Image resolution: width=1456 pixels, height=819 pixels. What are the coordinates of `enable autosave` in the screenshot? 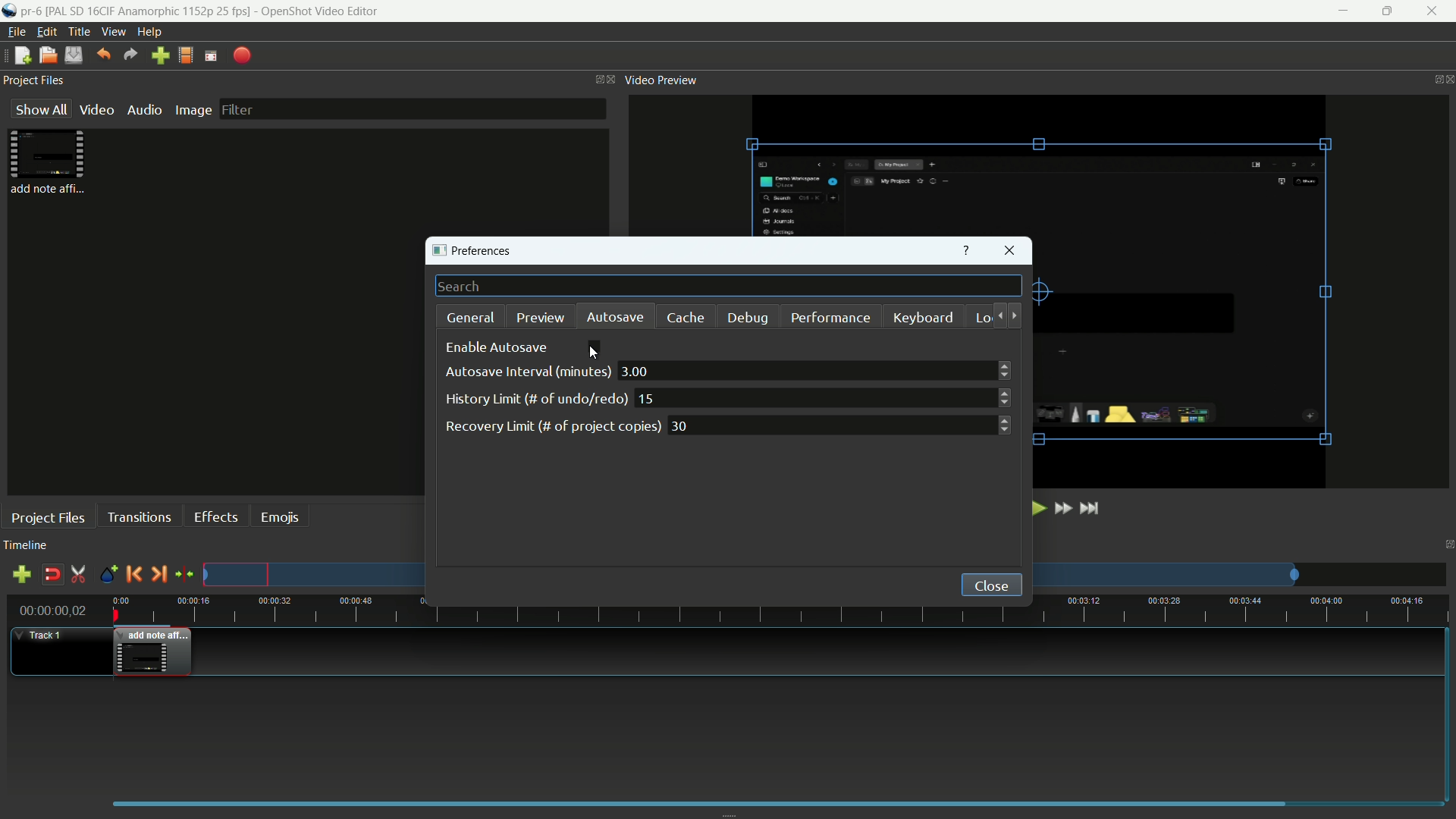 It's located at (497, 348).